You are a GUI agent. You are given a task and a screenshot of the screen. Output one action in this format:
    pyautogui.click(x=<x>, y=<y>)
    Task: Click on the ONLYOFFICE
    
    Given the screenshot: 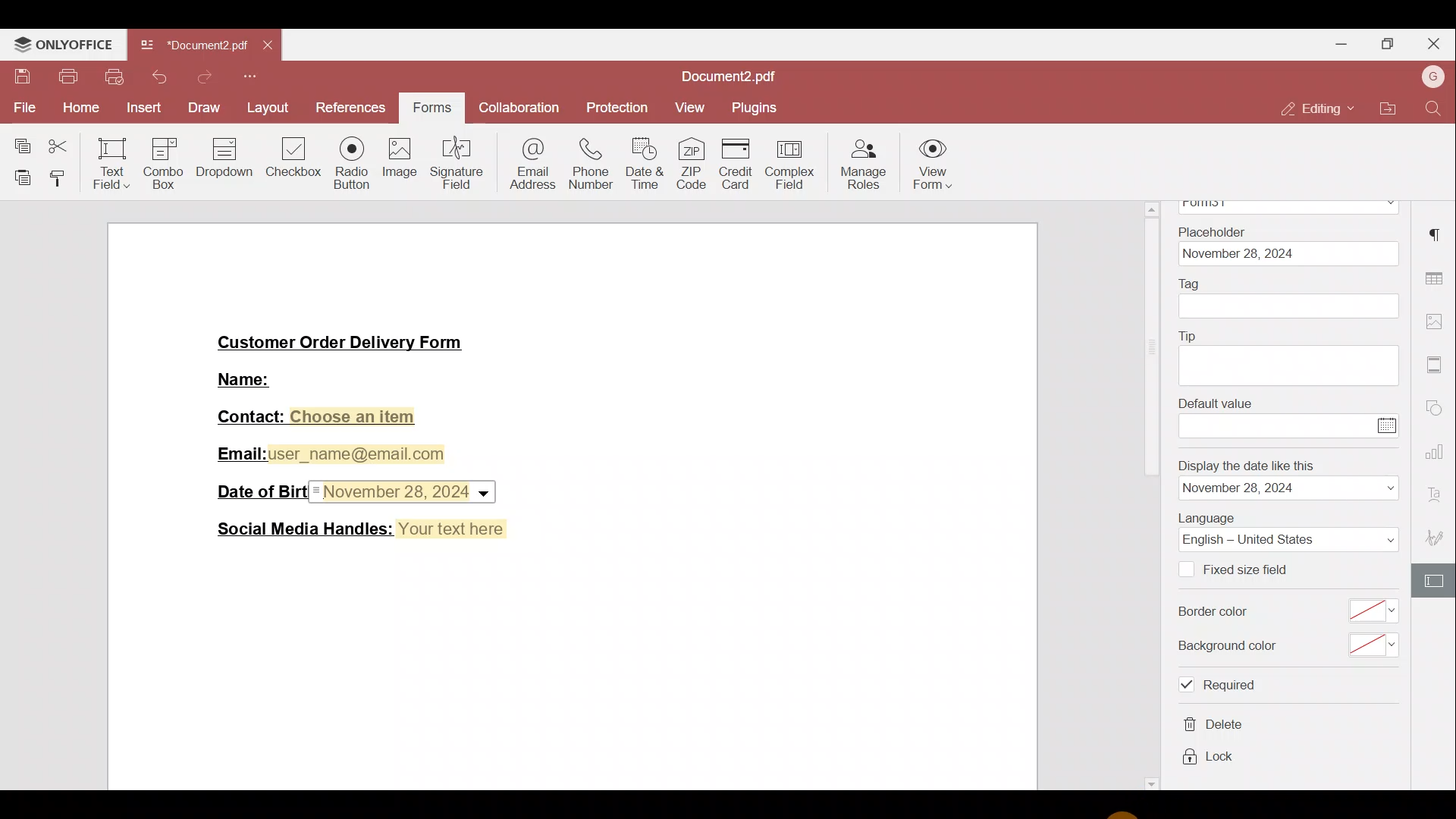 What is the action you would take?
    pyautogui.click(x=63, y=42)
    